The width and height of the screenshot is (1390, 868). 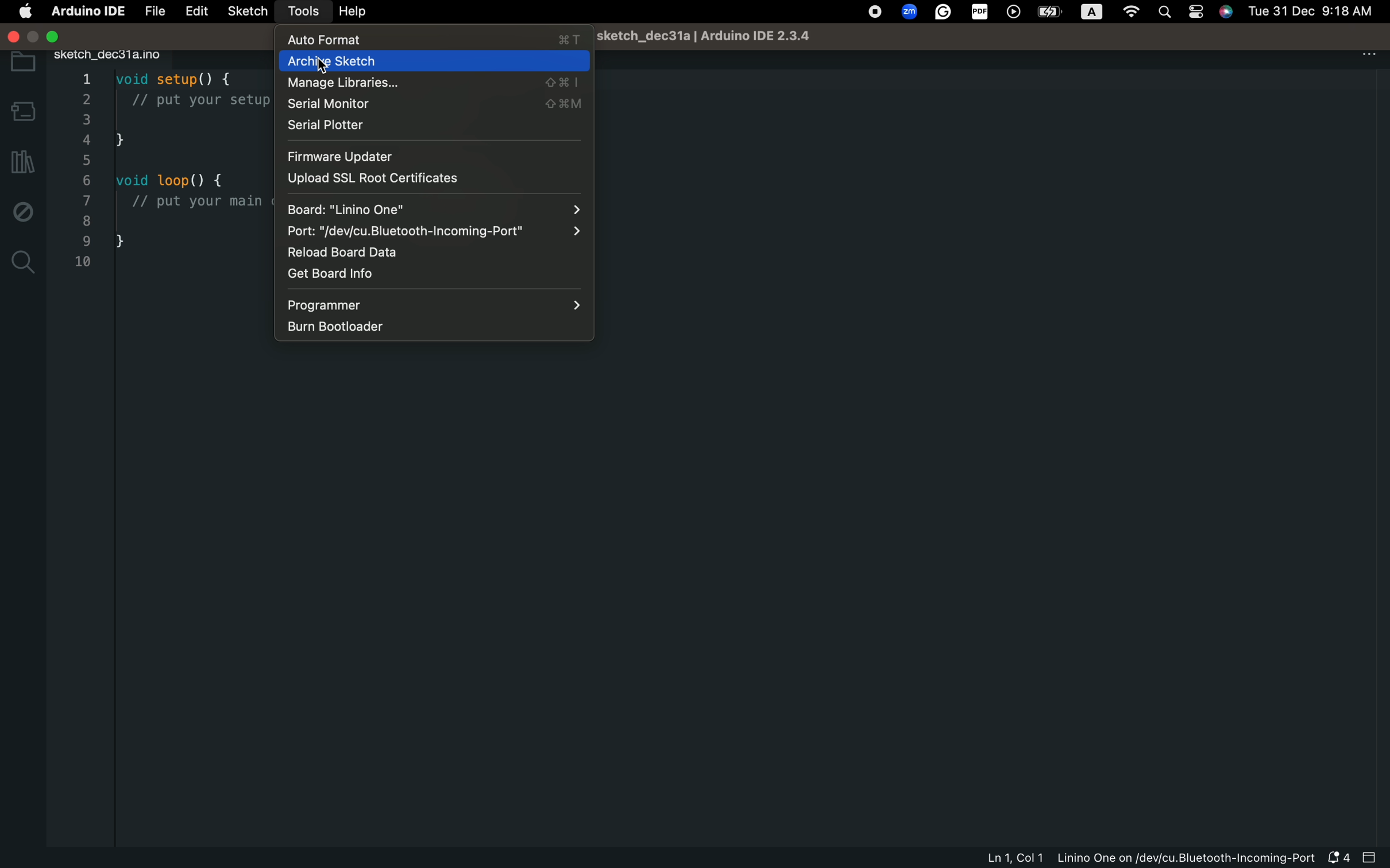 I want to click on zoom, so click(x=908, y=13).